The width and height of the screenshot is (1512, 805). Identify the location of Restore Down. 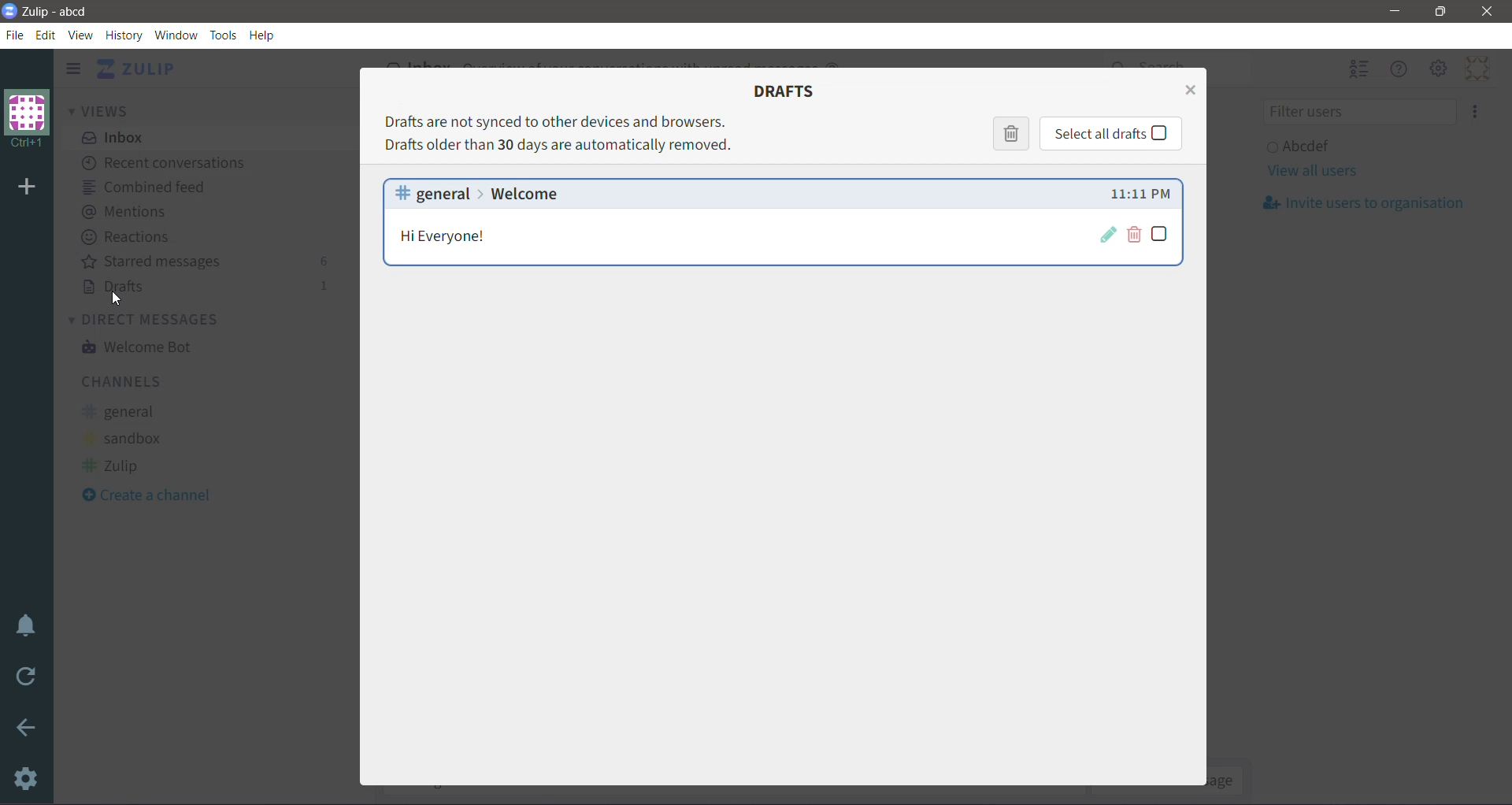
(1440, 12).